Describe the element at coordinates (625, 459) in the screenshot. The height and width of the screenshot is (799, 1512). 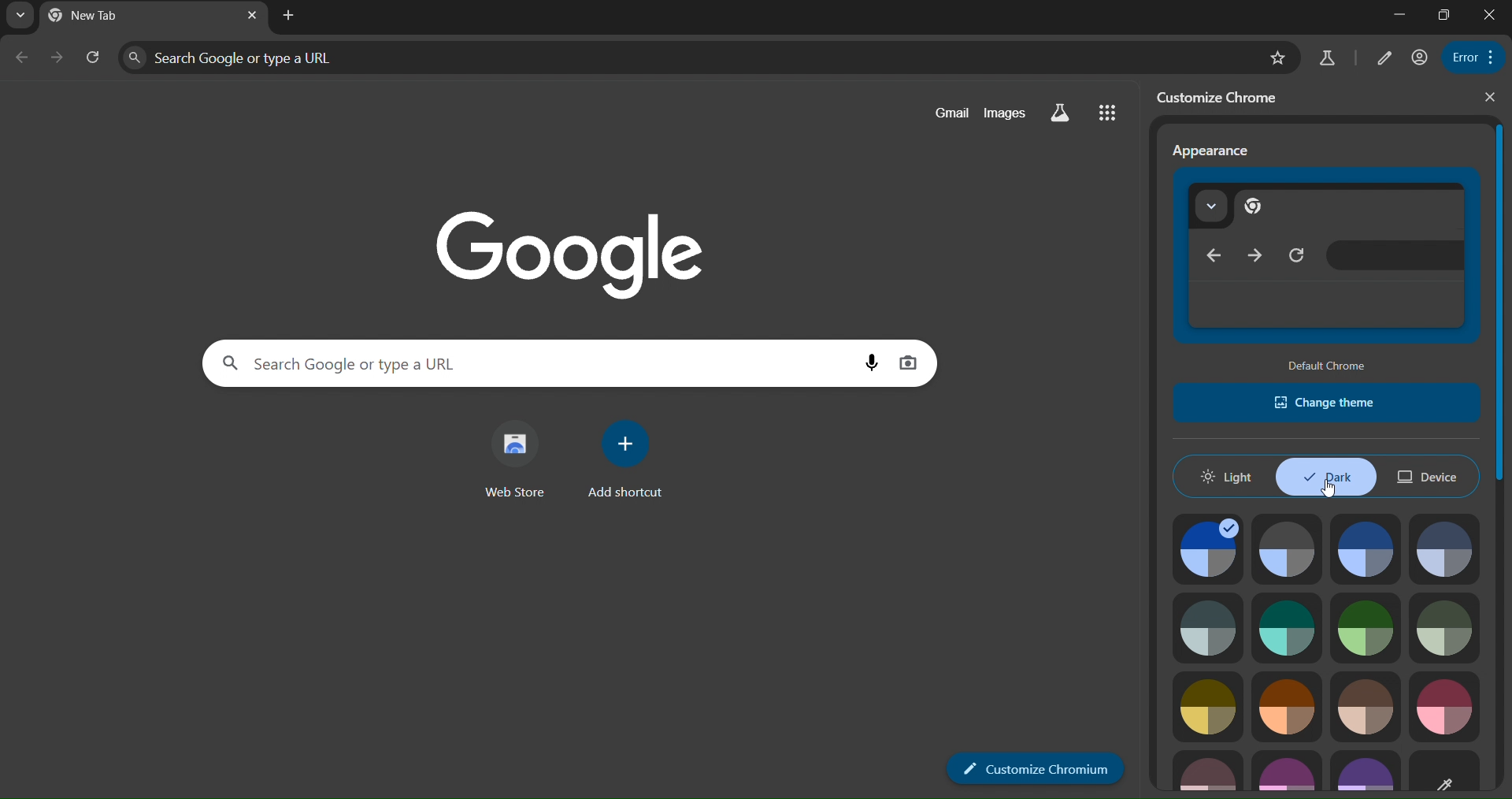
I see `add shorcut` at that location.